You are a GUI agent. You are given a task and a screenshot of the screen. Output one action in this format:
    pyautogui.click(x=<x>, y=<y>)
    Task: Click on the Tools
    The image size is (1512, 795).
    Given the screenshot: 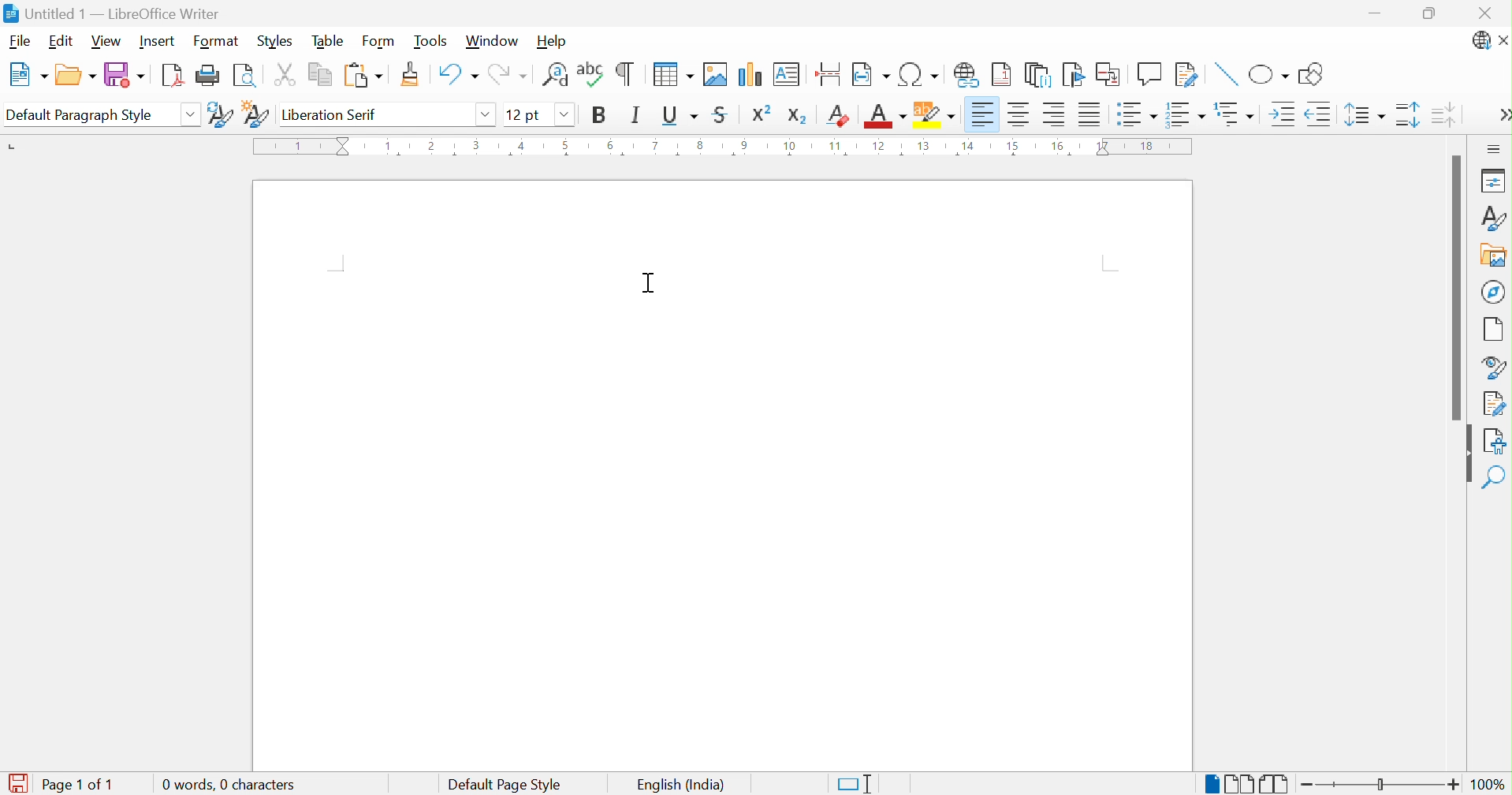 What is the action you would take?
    pyautogui.click(x=429, y=41)
    